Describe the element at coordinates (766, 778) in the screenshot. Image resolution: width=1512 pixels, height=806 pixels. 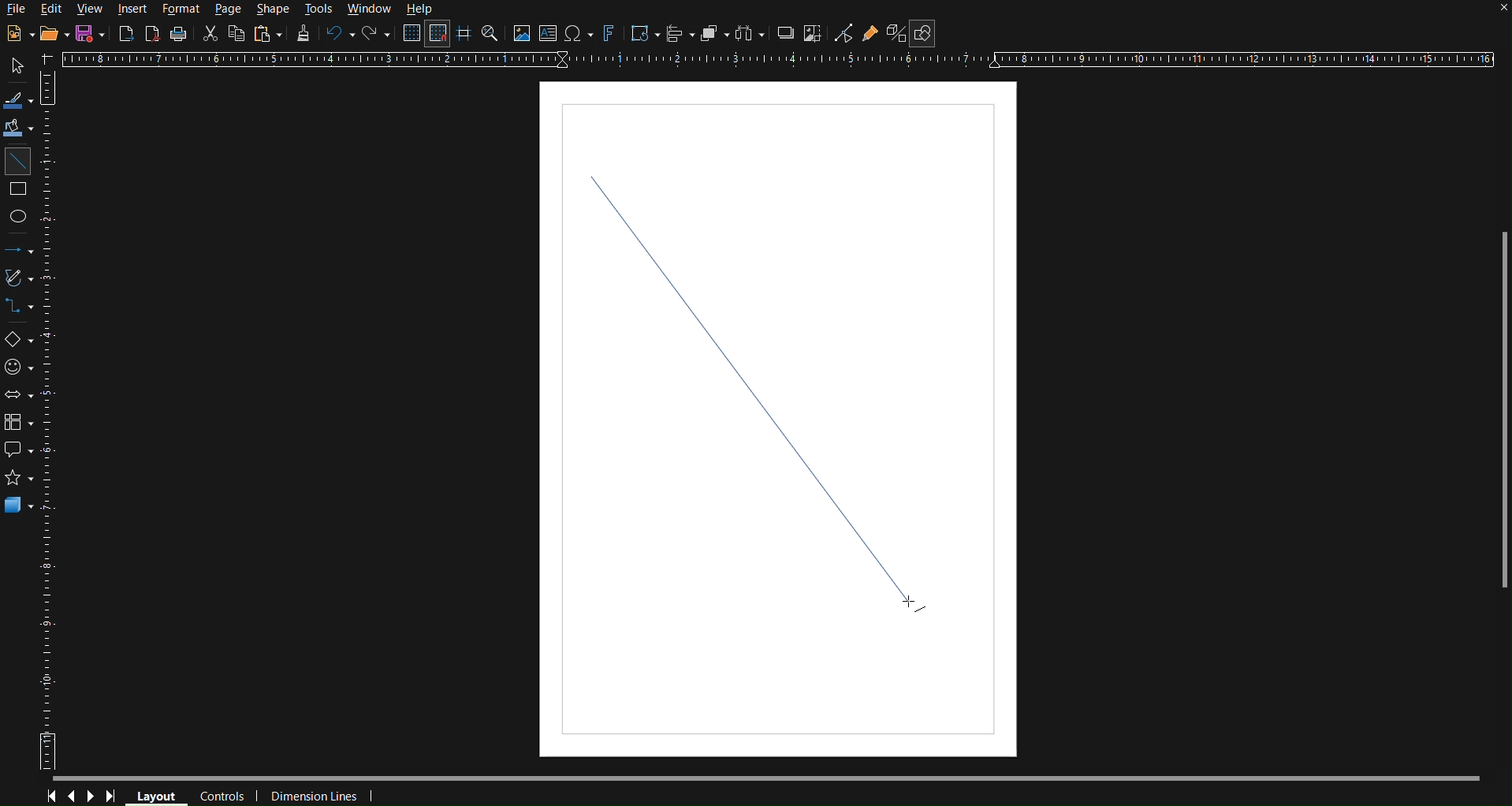
I see `Scrollbar` at that location.